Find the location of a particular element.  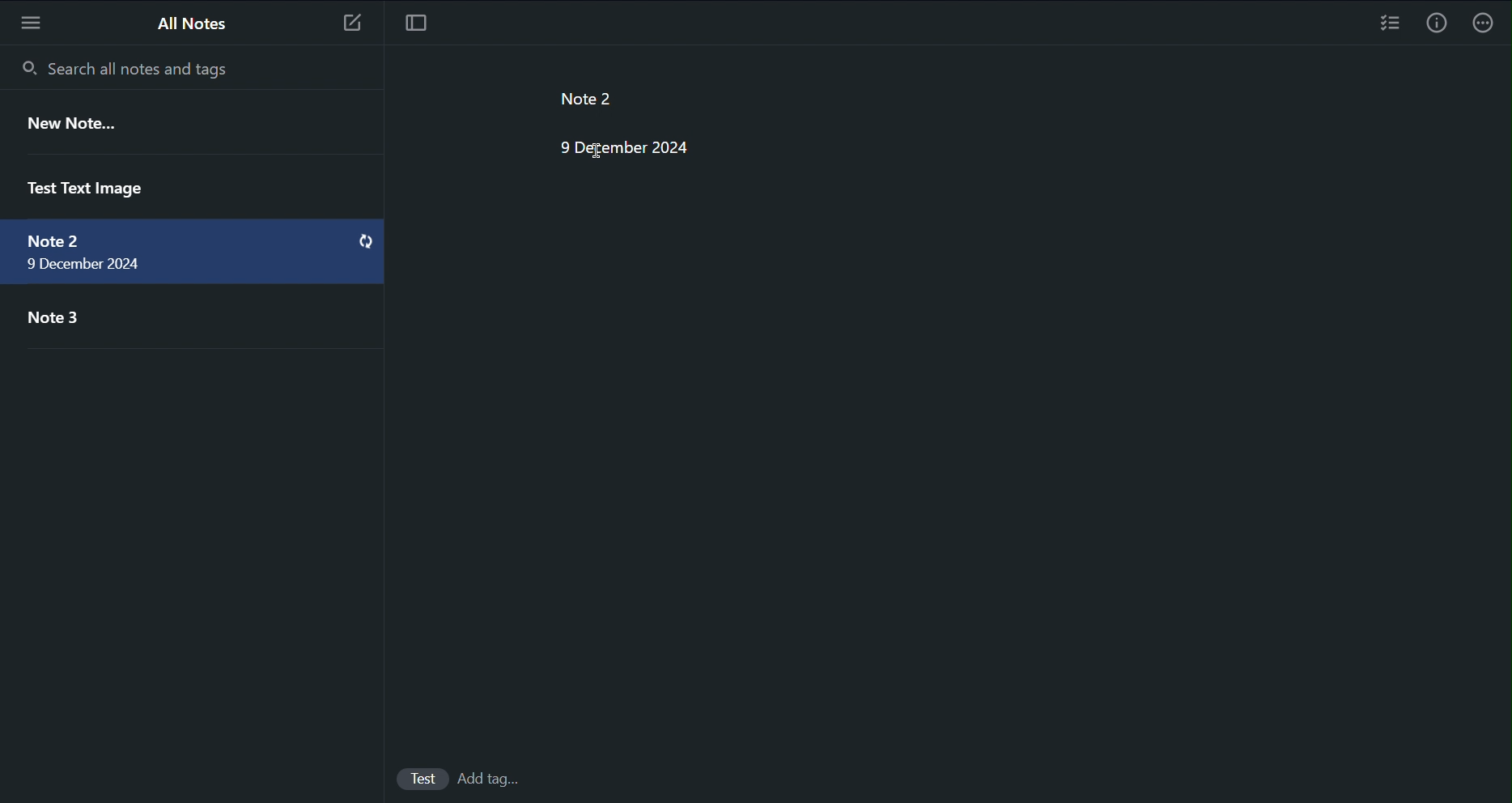

9 December 2024 is located at coordinates (618, 145).